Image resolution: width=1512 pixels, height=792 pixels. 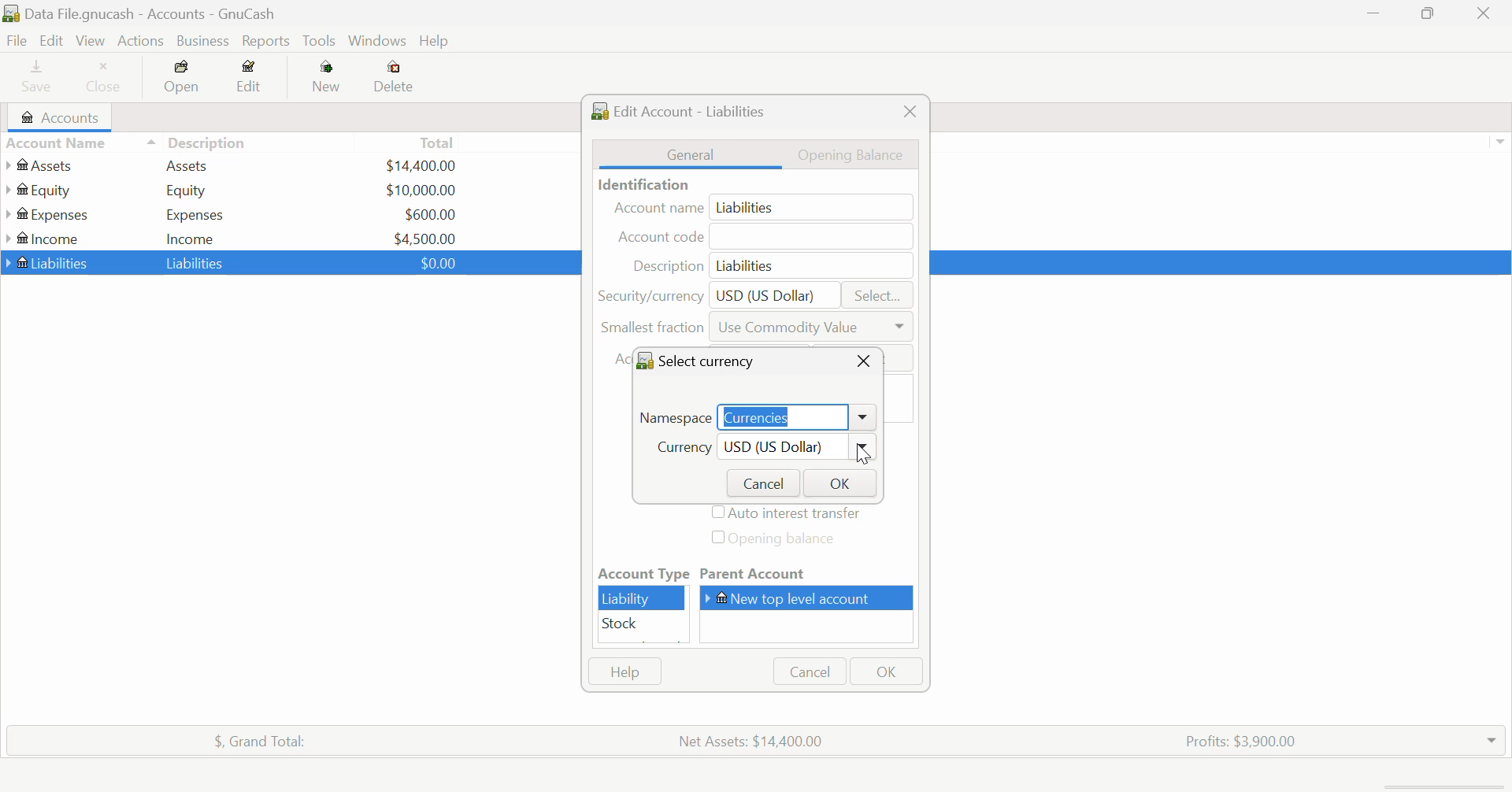 I want to click on Account Column Heading, so click(x=60, y=144).